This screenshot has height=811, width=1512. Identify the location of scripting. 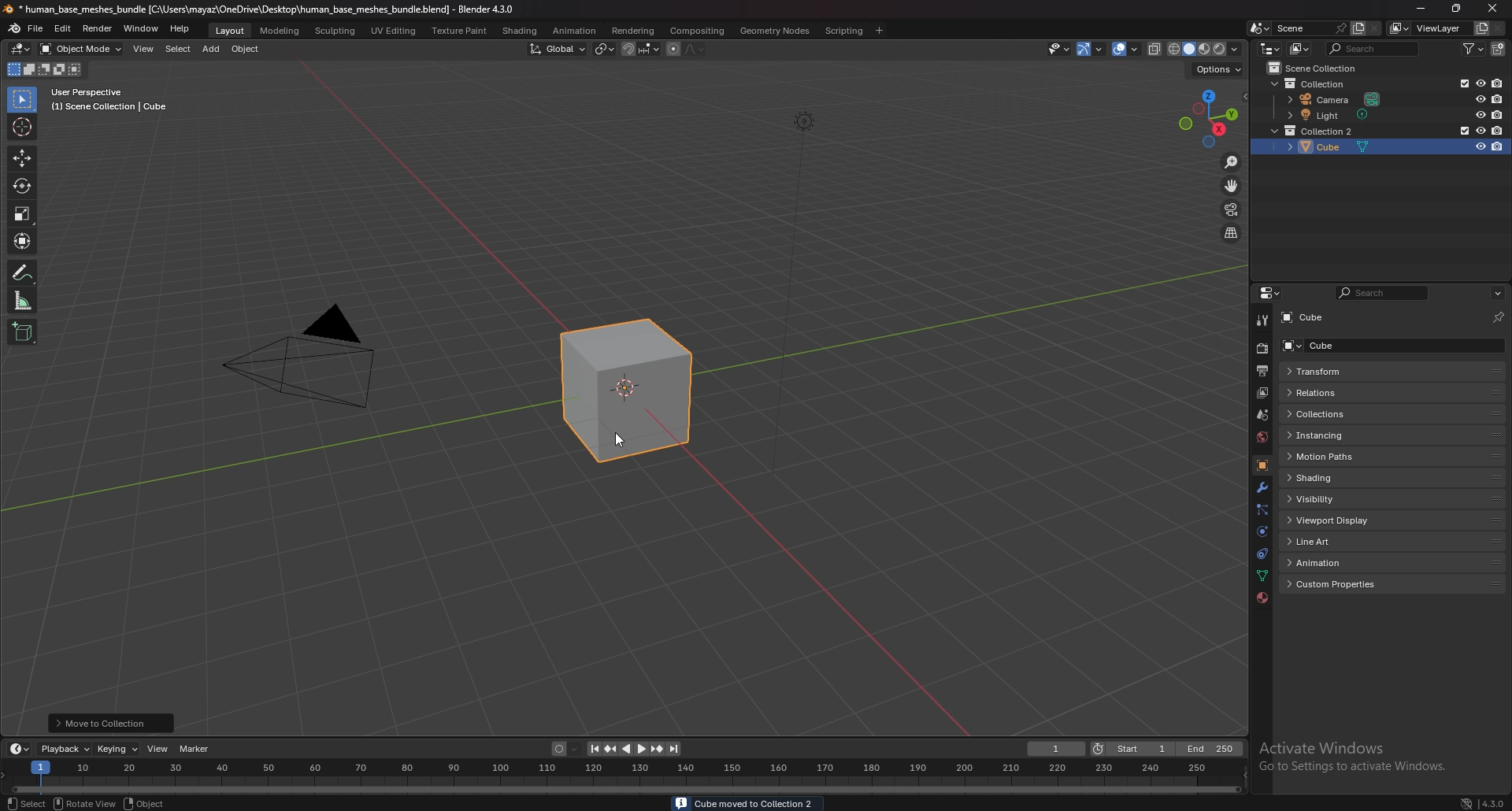
(845, 31).